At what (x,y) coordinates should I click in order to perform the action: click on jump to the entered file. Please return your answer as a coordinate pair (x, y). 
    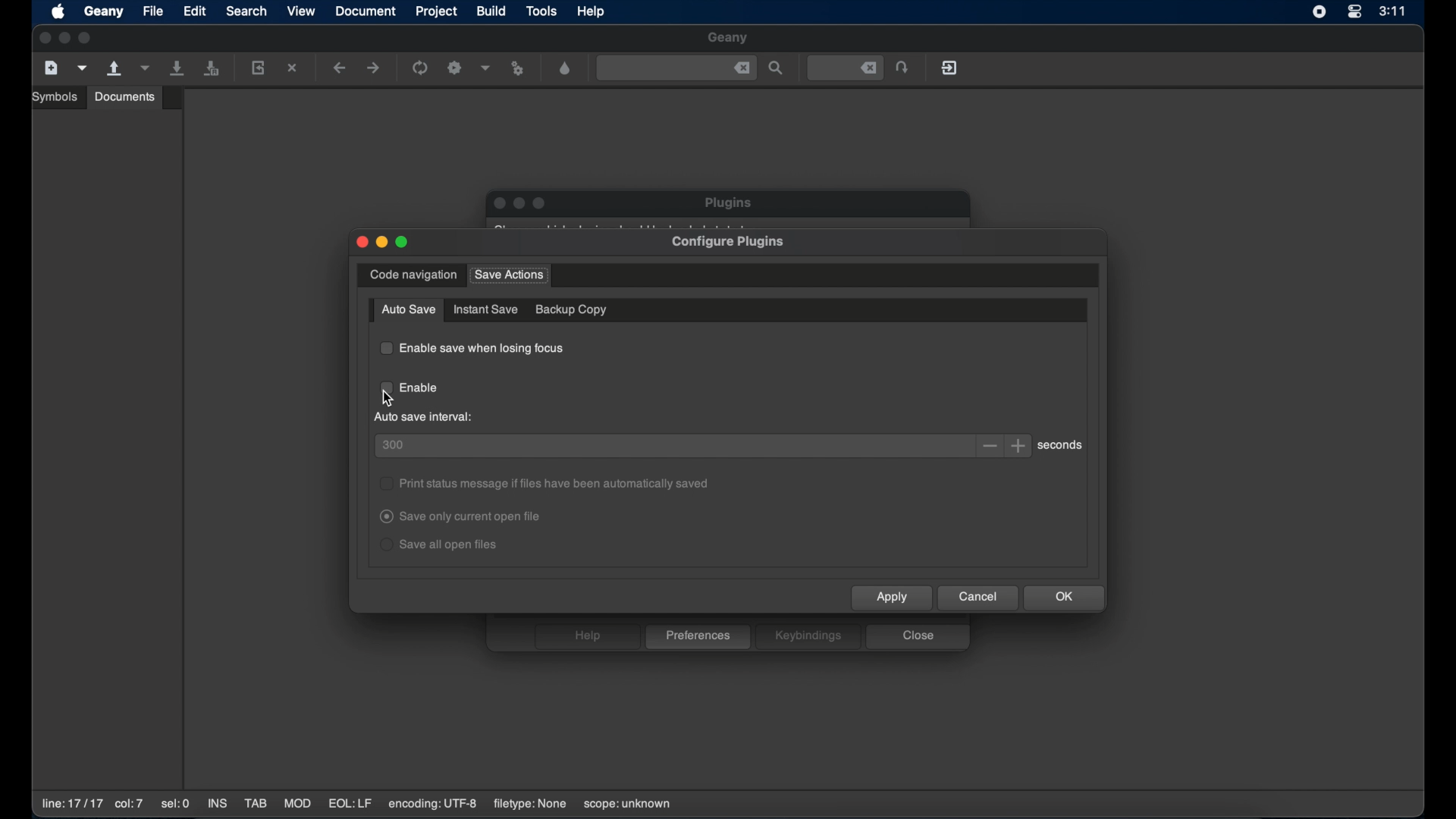
    Looking at the image, I should click on (903, 68).